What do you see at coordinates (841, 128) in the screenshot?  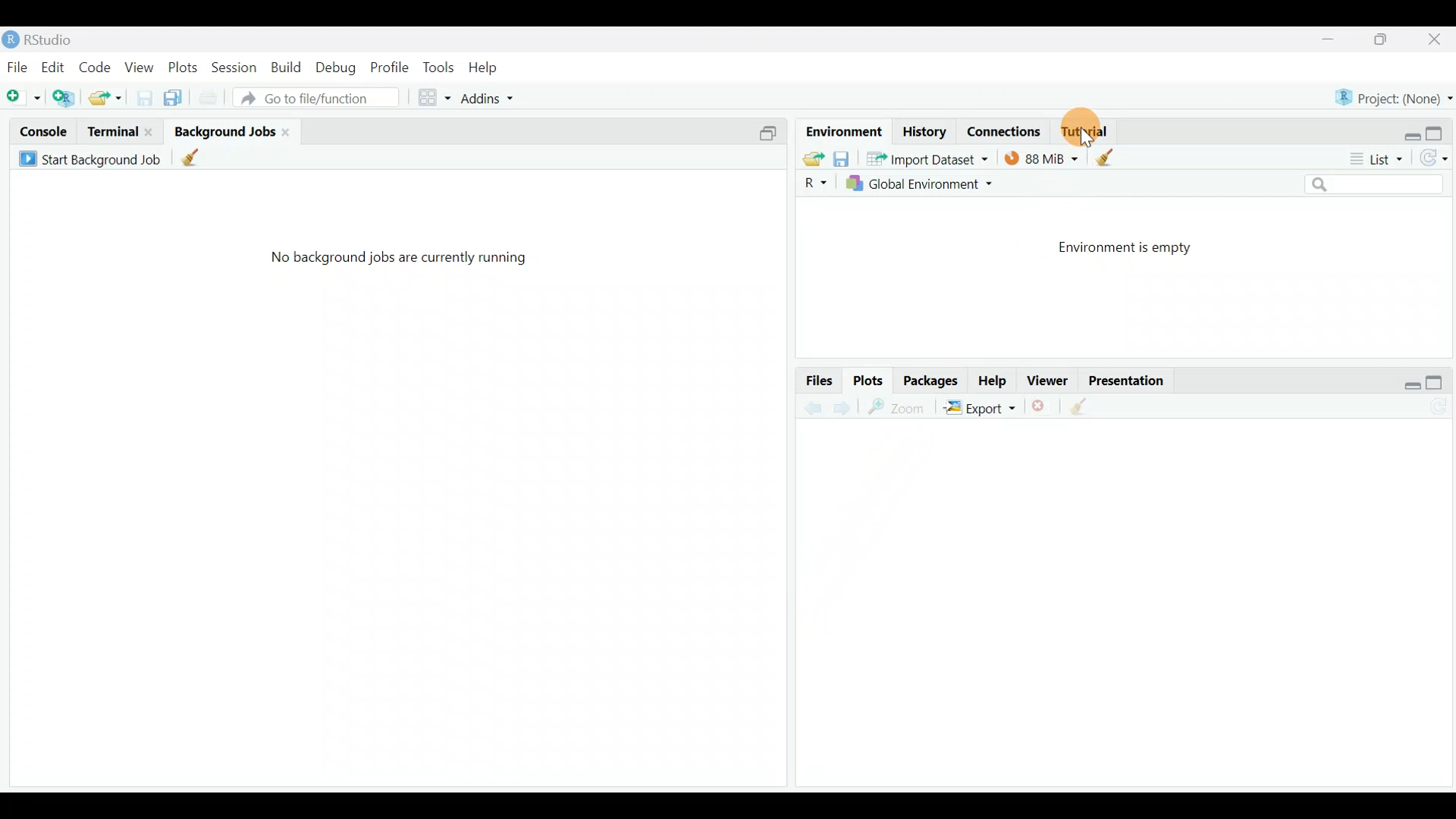 I see `Environment` at bounding box center [841, 128].